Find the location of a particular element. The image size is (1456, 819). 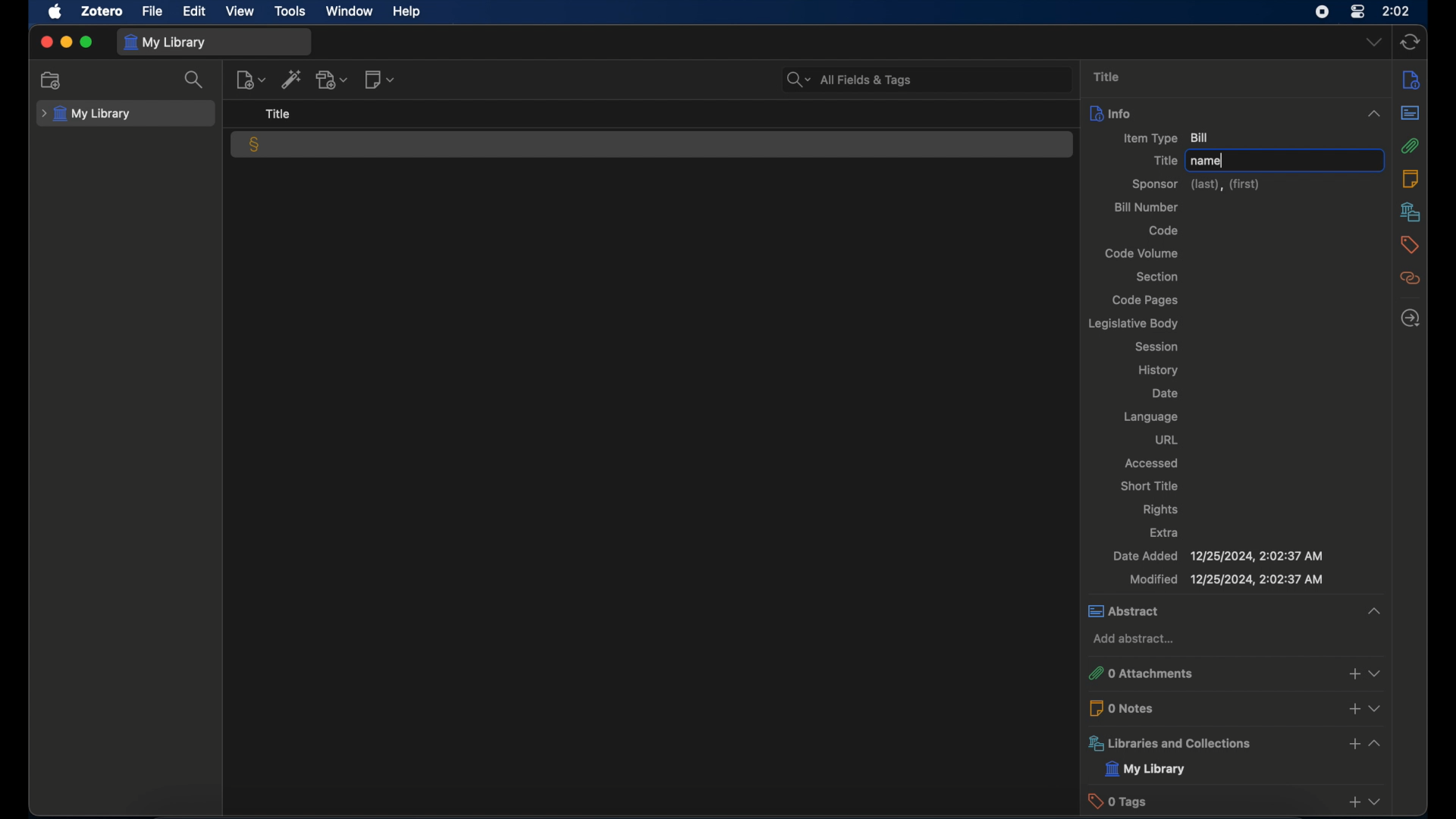

apple is located at coordinates (55, 12).